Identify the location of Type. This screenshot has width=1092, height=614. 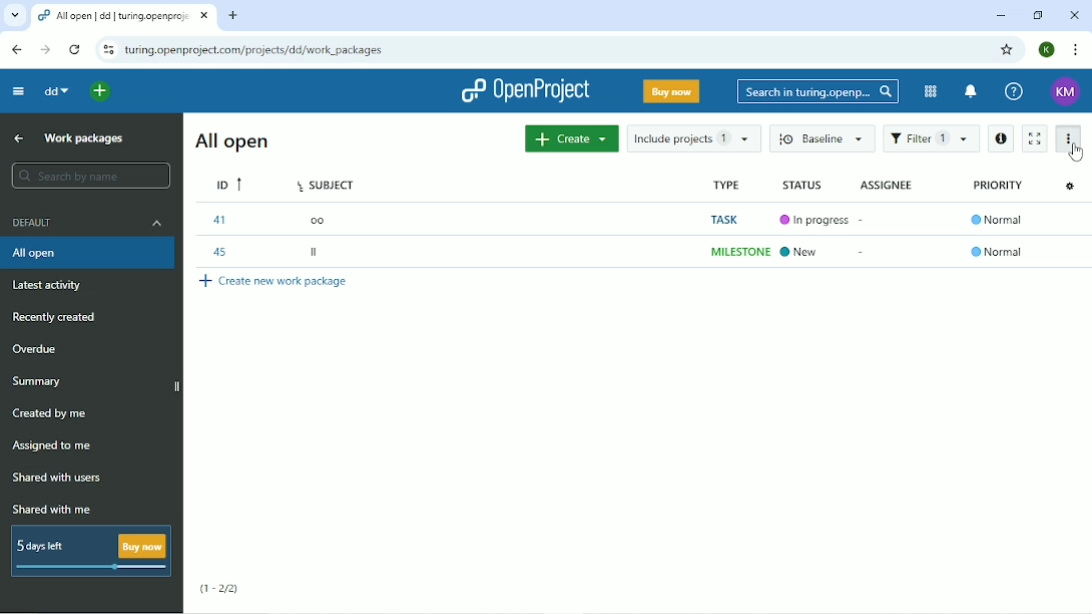
(730, 183).